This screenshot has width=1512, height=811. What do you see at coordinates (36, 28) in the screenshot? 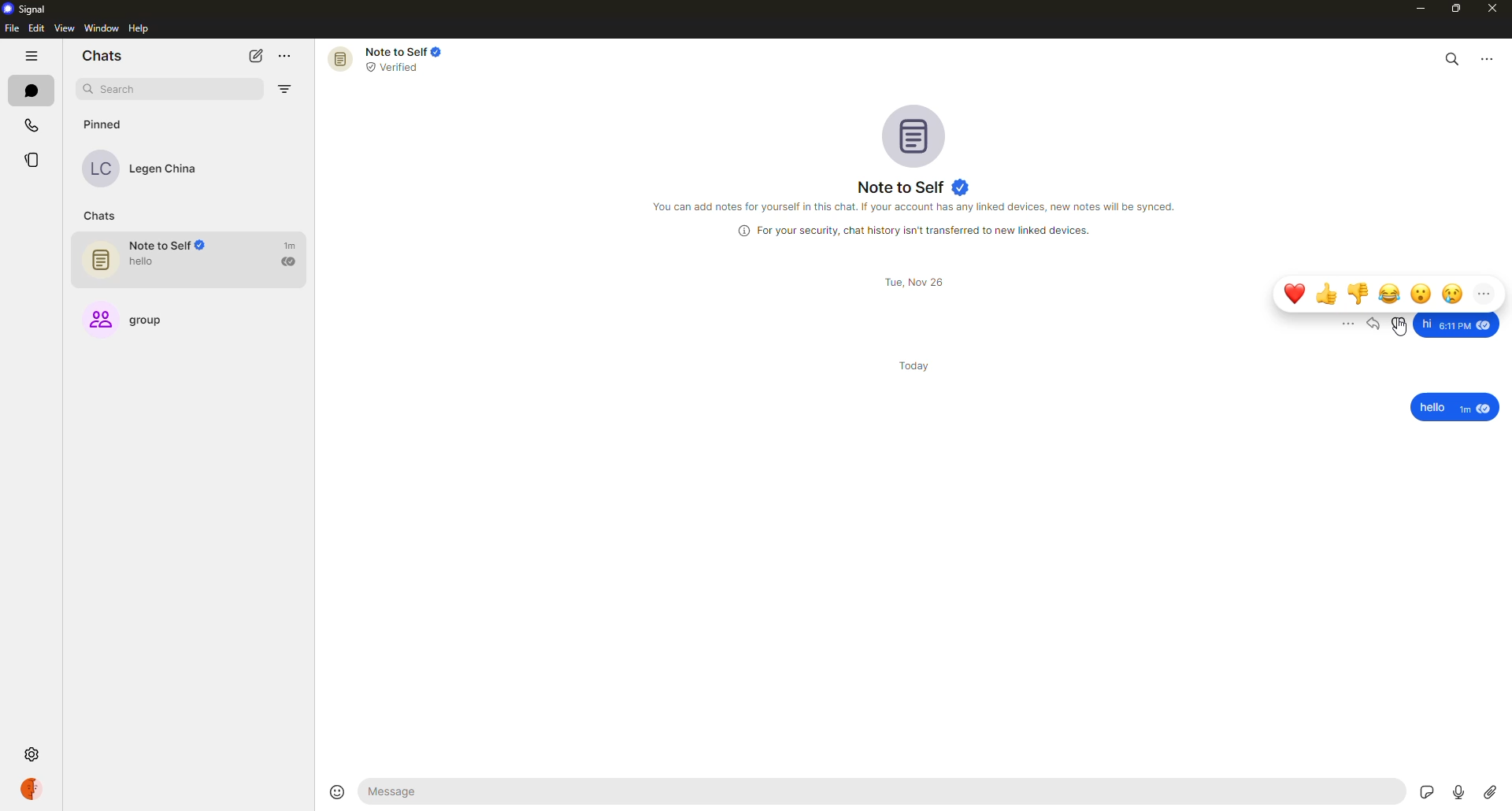
I see `edit` at bounding box center [36, 28].